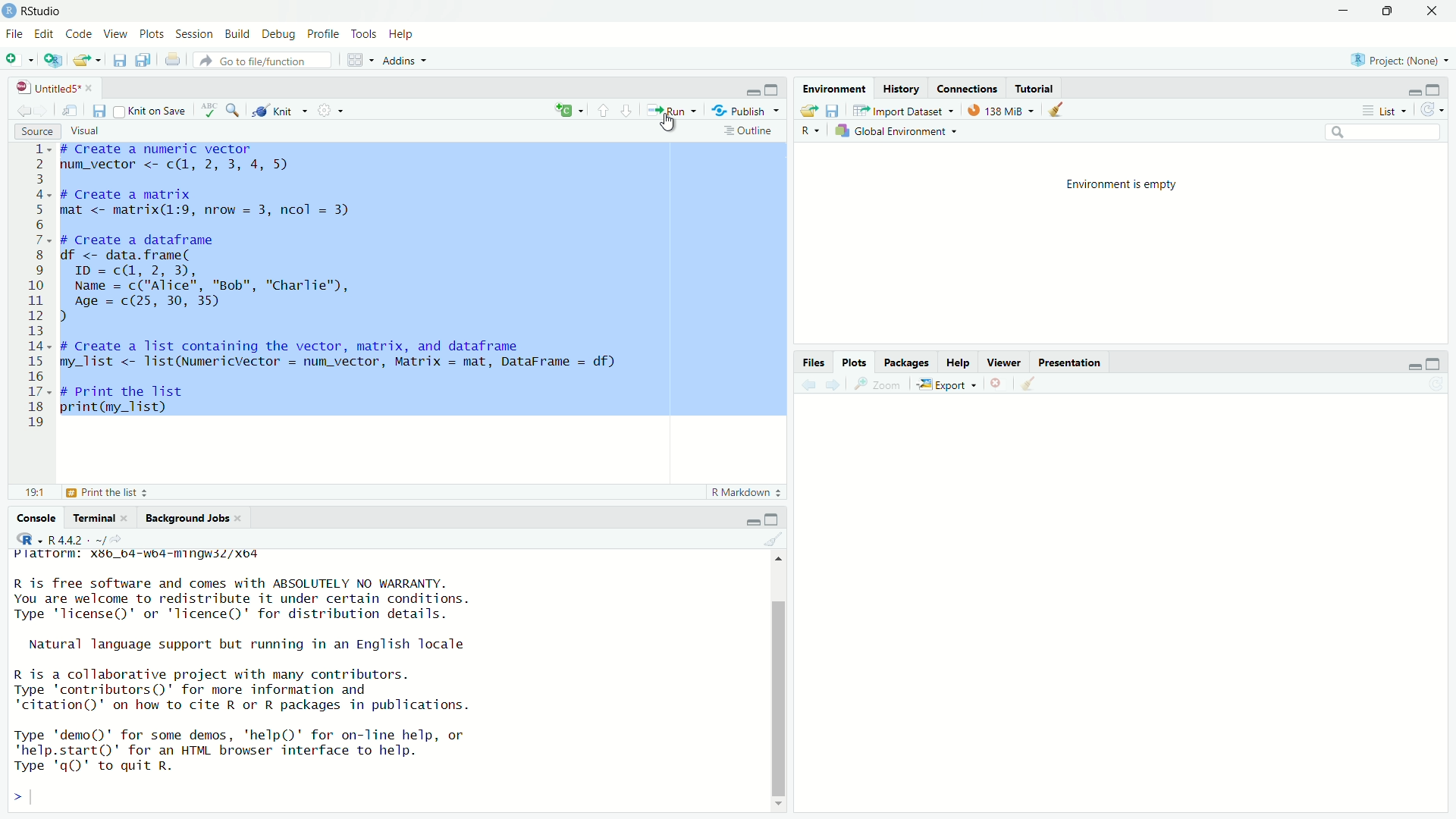  What do you see at coordinates (903, 111) in the screenshot?
I see `Import Dataset ~` at bounding box center [903, 111].